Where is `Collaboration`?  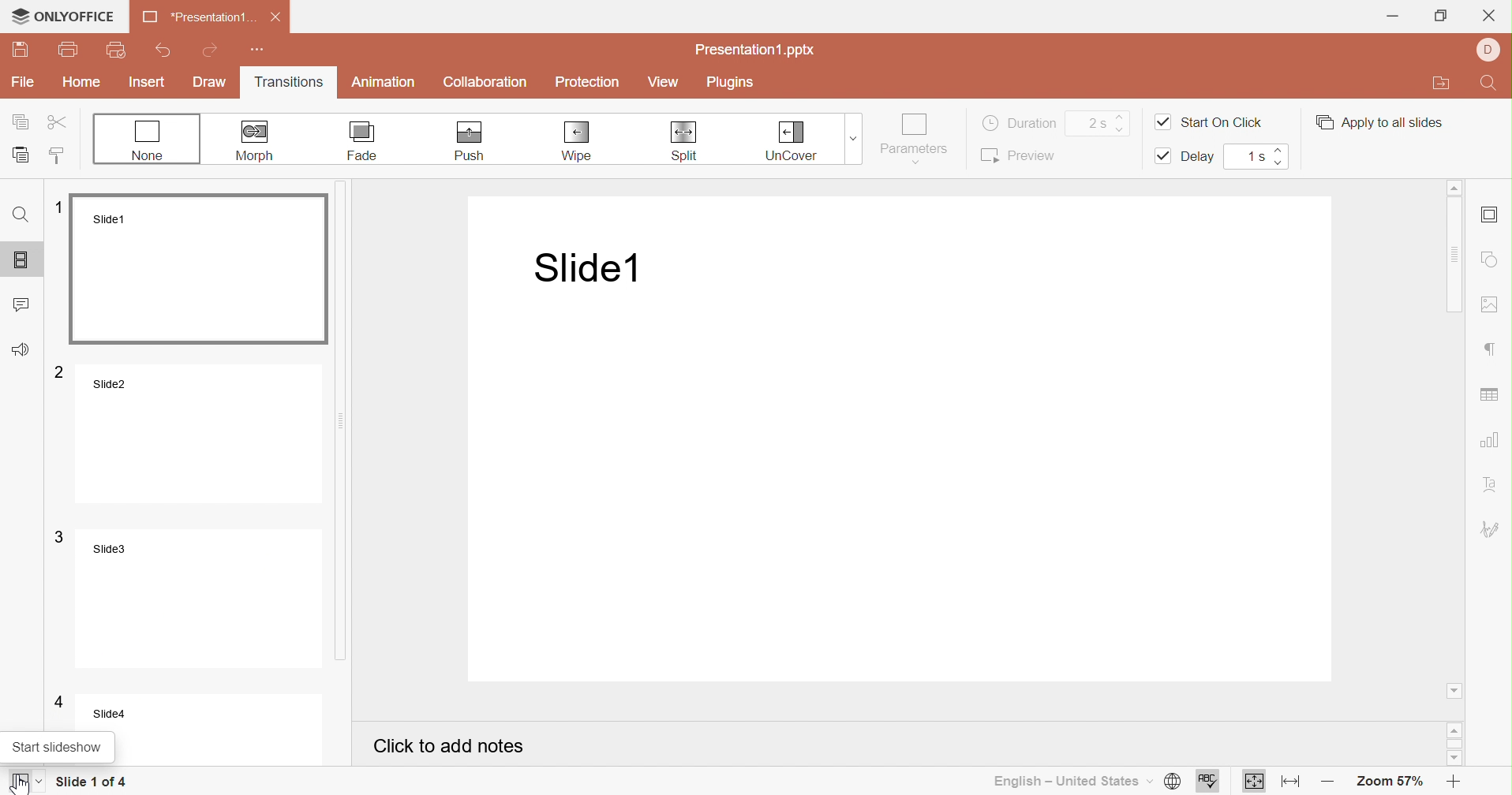
Collaboration is located at coordinates (486, 83).